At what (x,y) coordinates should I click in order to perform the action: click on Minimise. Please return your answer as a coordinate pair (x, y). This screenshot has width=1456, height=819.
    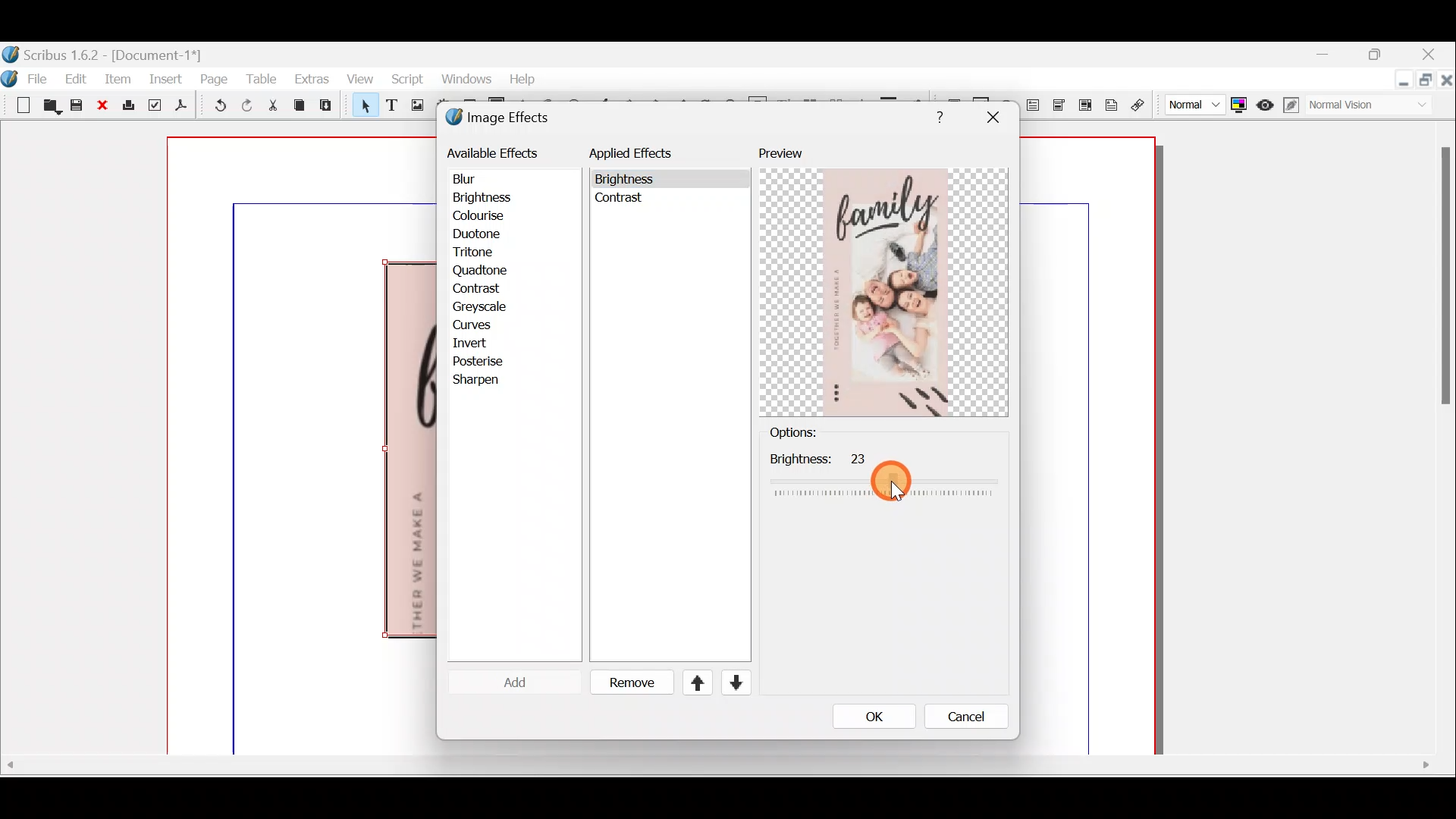
    Looking at the image, I should click on (1335, 58).